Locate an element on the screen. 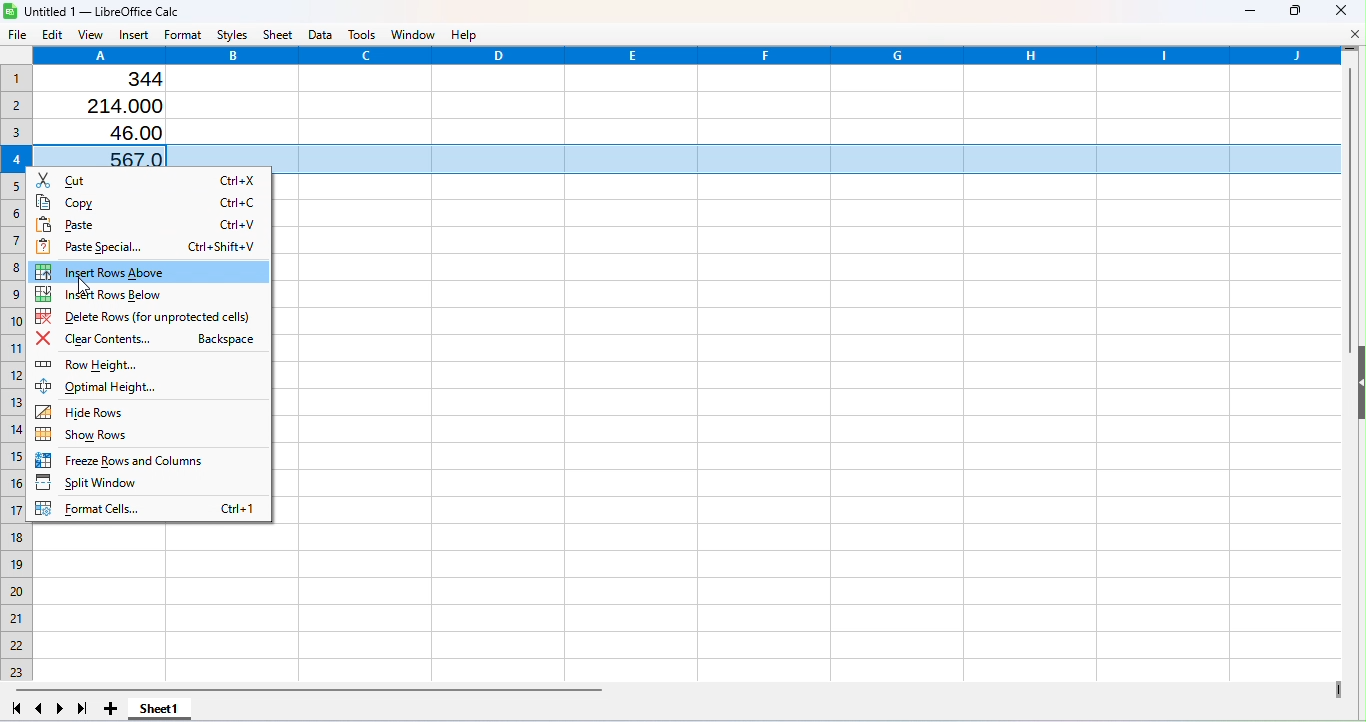 The height and width of the screenshot is (722, 1366). Cursor is located at coordinates (85, 271).